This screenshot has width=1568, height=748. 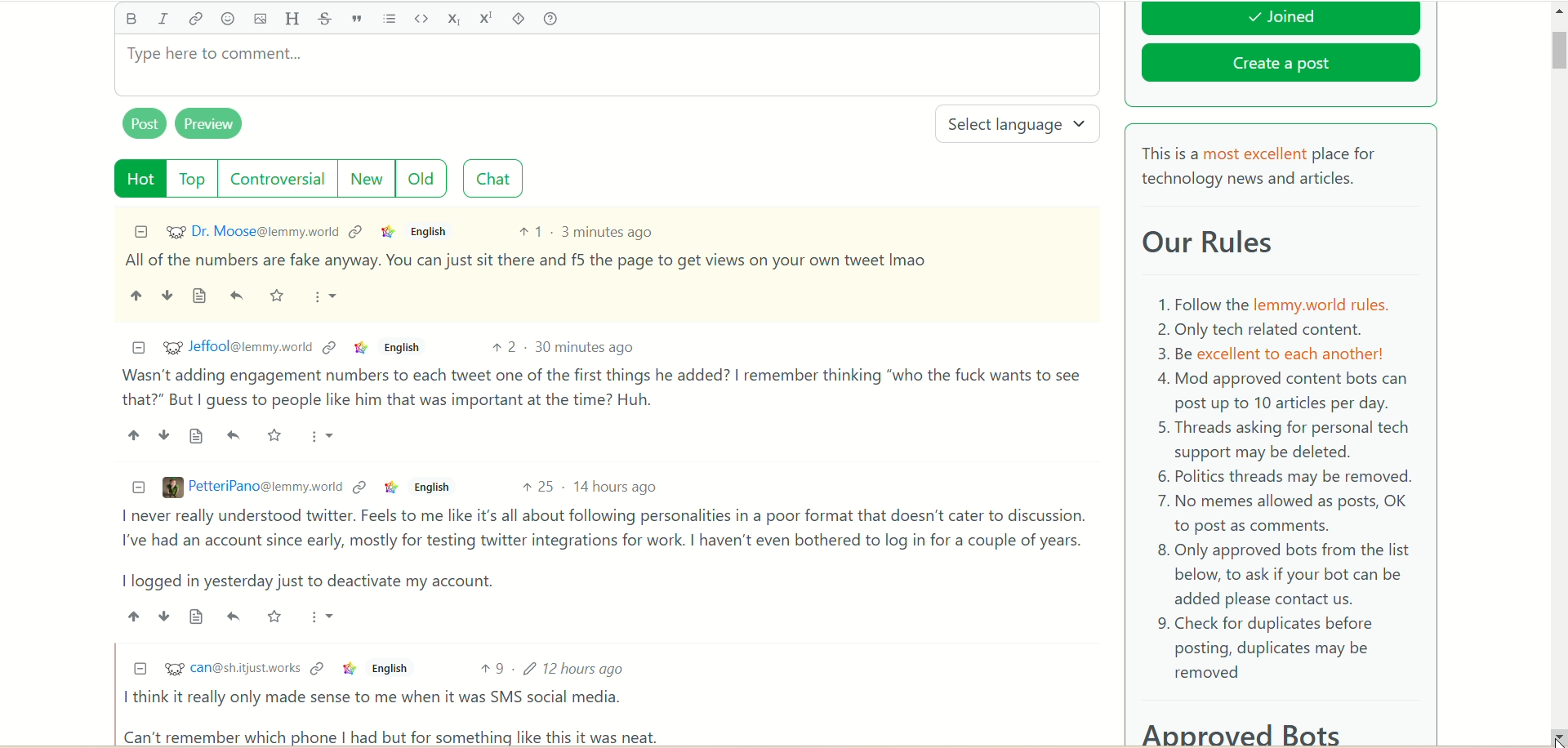 I want to click on image, so click(x=259, y=20).